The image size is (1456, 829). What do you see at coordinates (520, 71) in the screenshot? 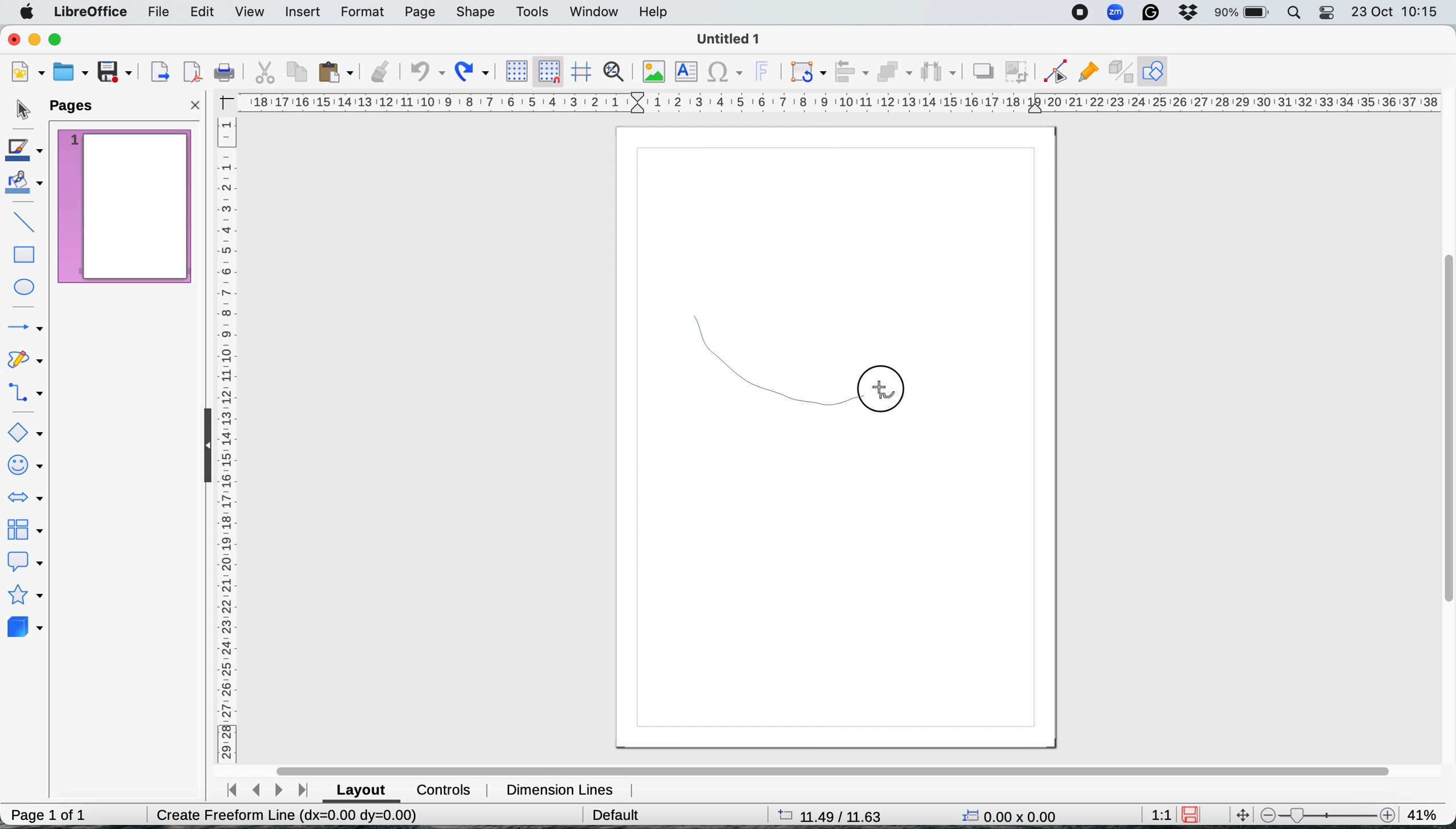
I see `display grid` at bounding box center [520, 71].